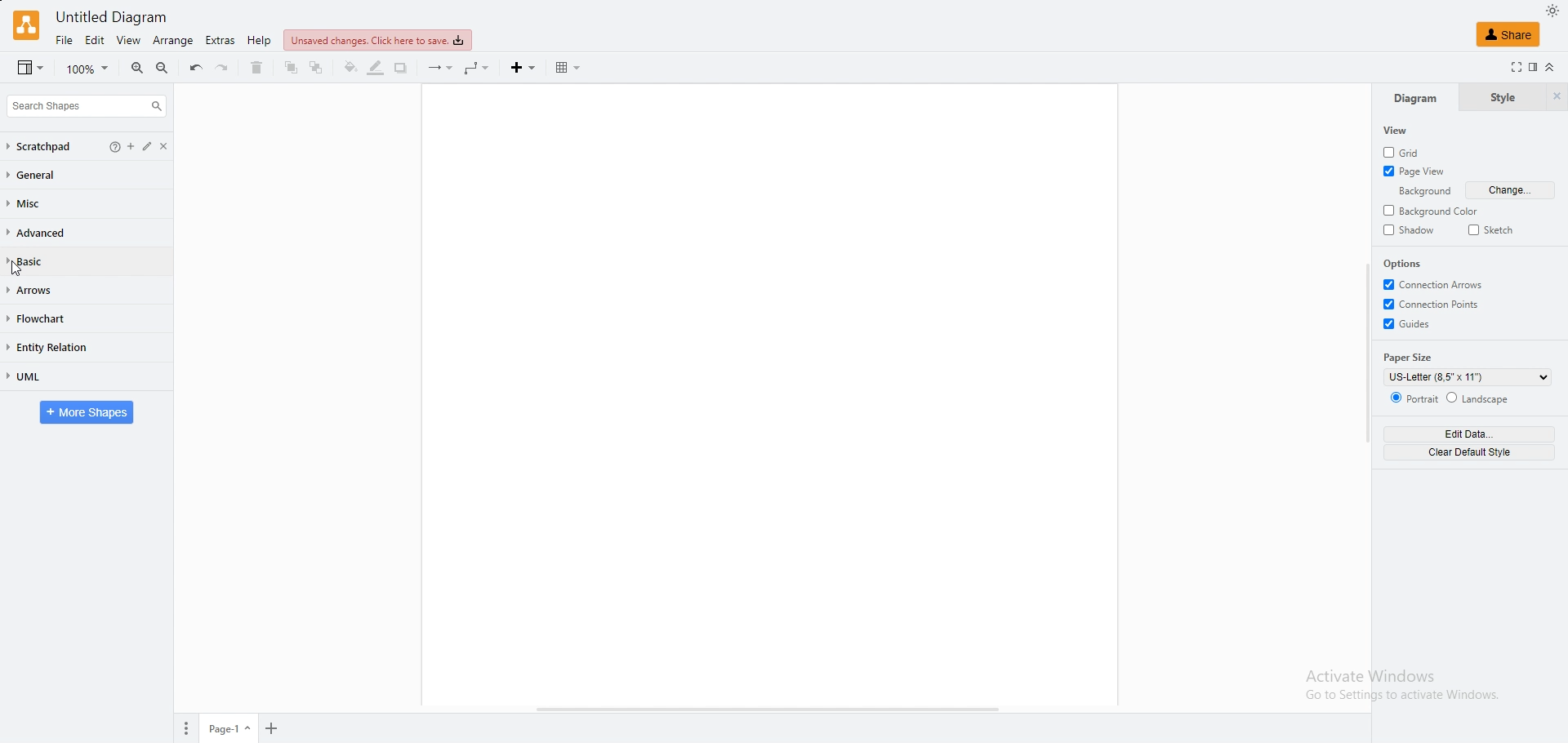 This screenshot has width=1568, height=743. What do you see at coordinates (1415, 98) in the screenshot?
I see `diagram` at bounding box center [1415, 98].